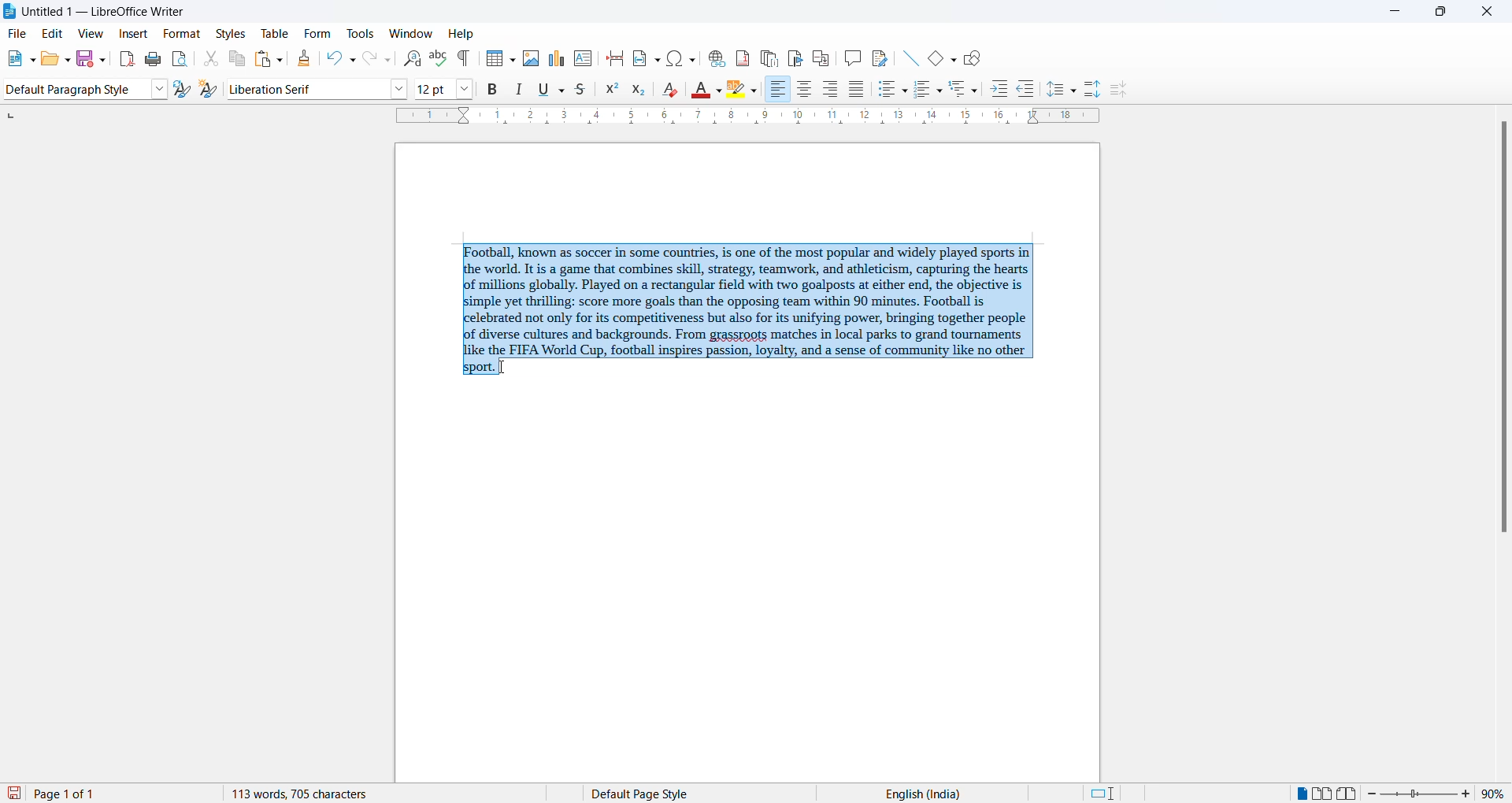 This screenshot has height=803, width=1512. Describe the element at coordinates (399, 88) in the screenshot. I see `font options` at that location.